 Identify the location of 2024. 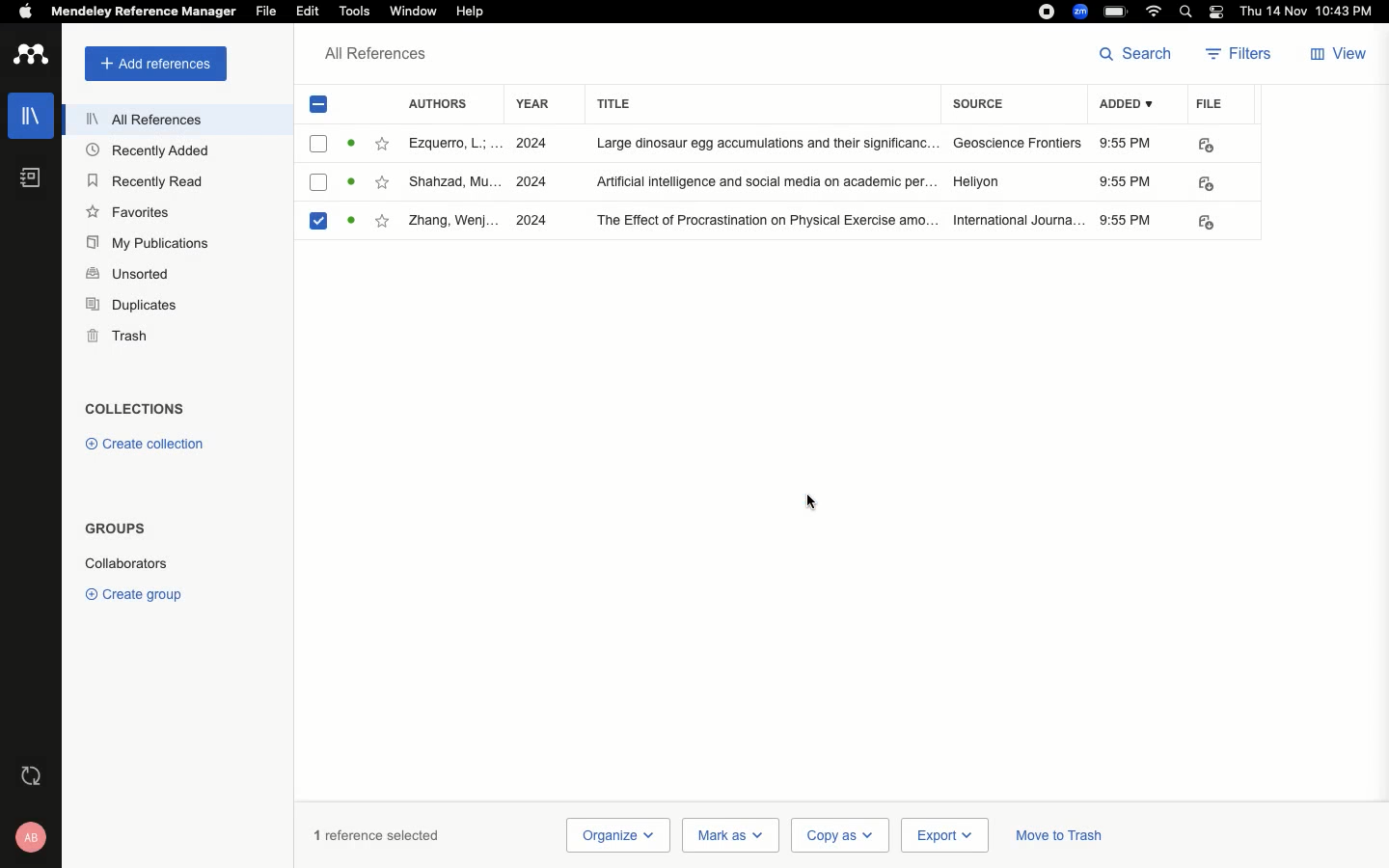
(531, 182).